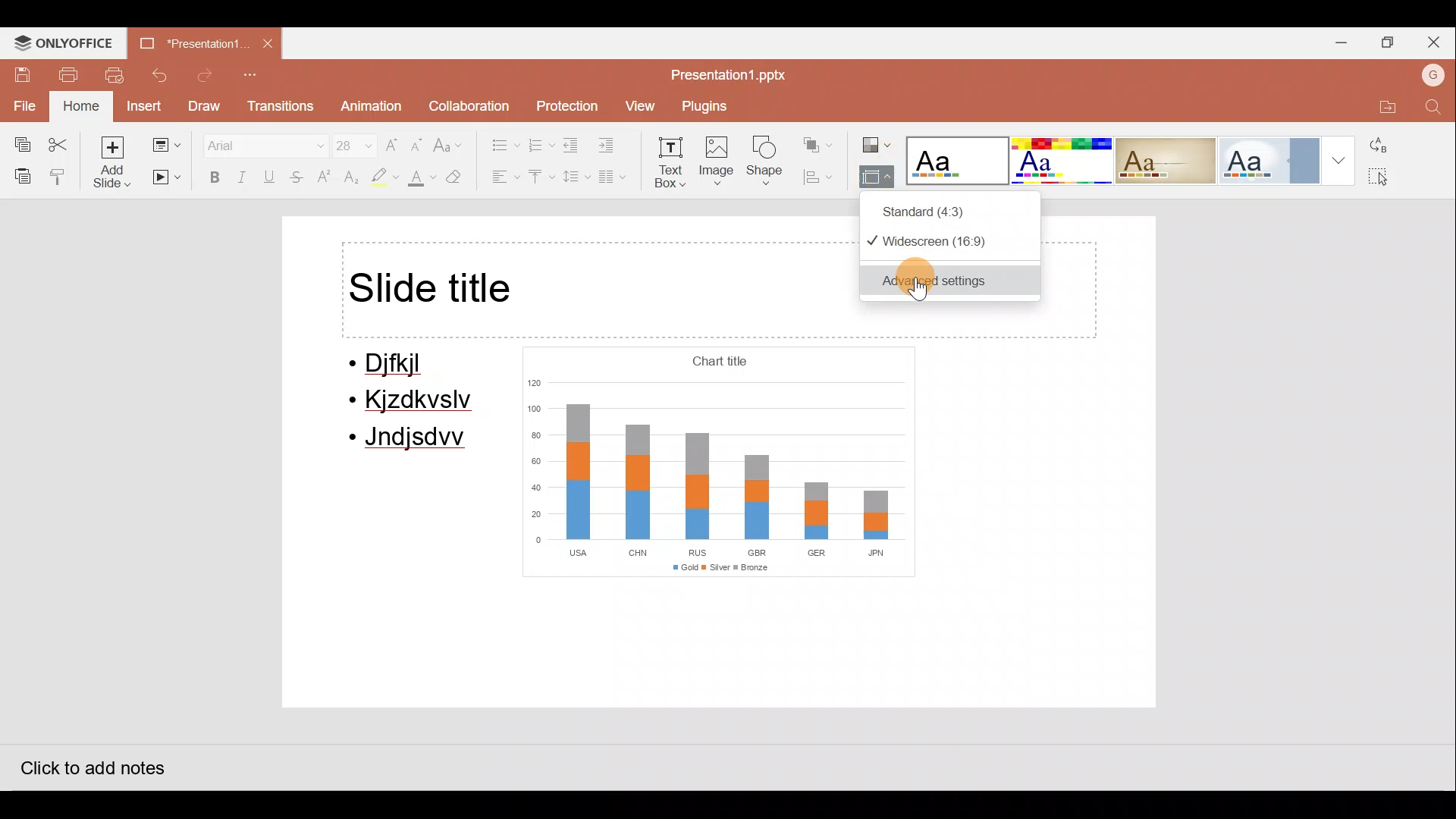  I want to click on Strikethrough, so click(298, 179).